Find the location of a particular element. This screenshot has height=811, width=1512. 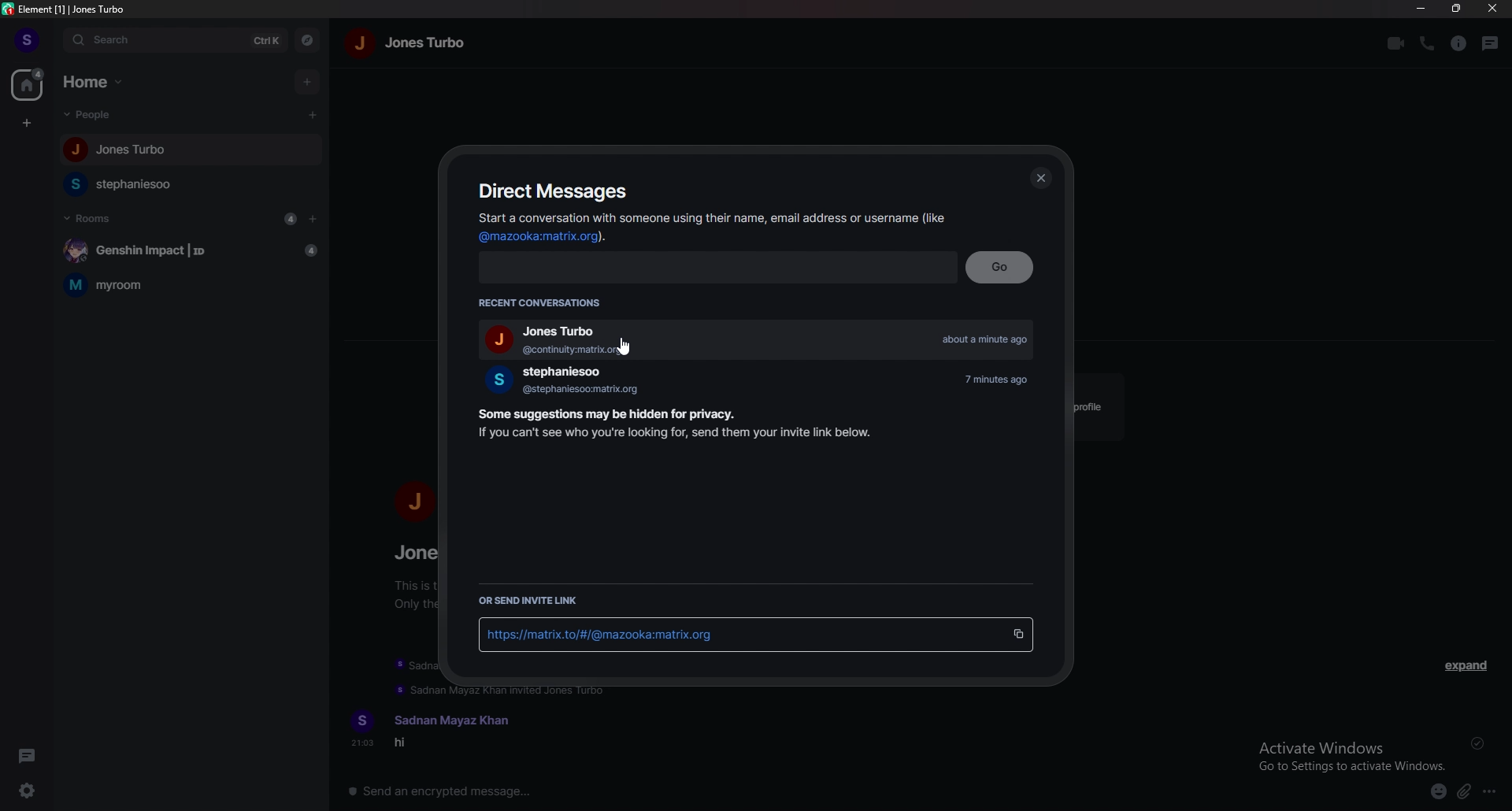

myroom is located at coordinates (191, 284).